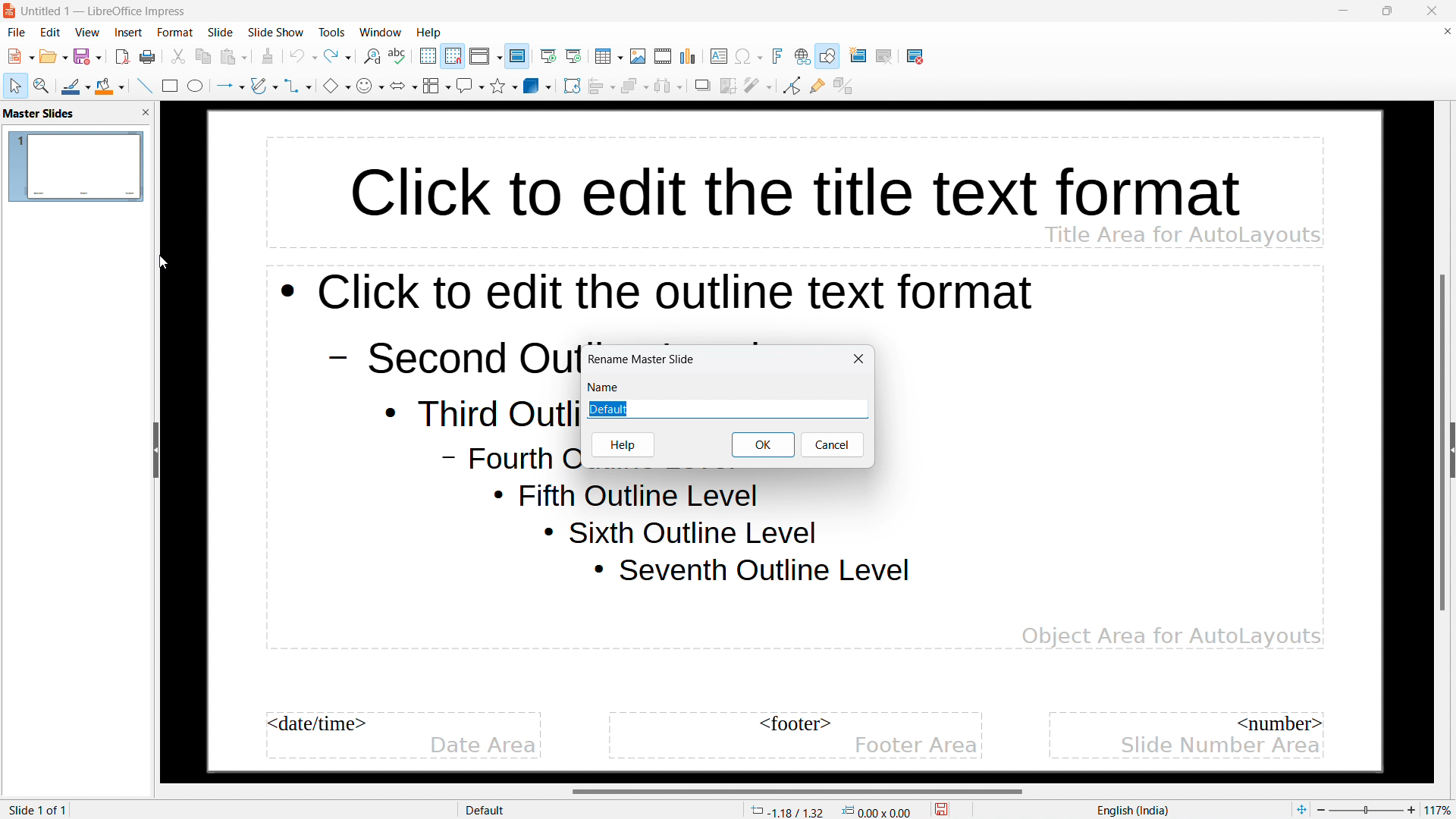 The width and height of the screenshot is (1456, 819). What do you see at coordinates (484, 746) in the screenshot?
I see `date area` at bounding box center [484, 746].